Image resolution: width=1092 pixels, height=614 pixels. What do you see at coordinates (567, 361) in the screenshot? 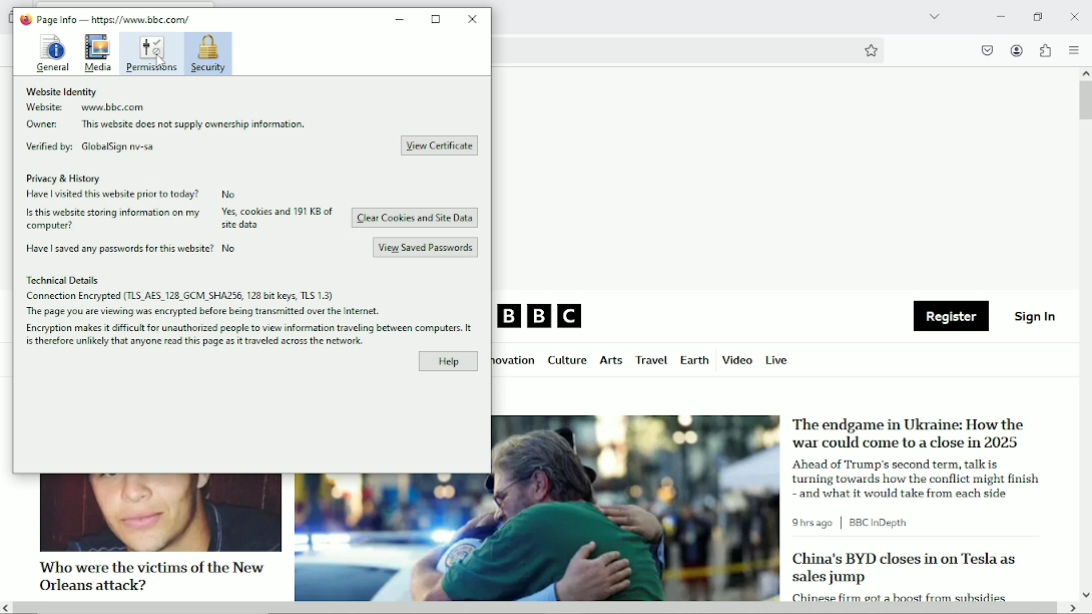
I see `Culture` at bounding box center [567, 361].